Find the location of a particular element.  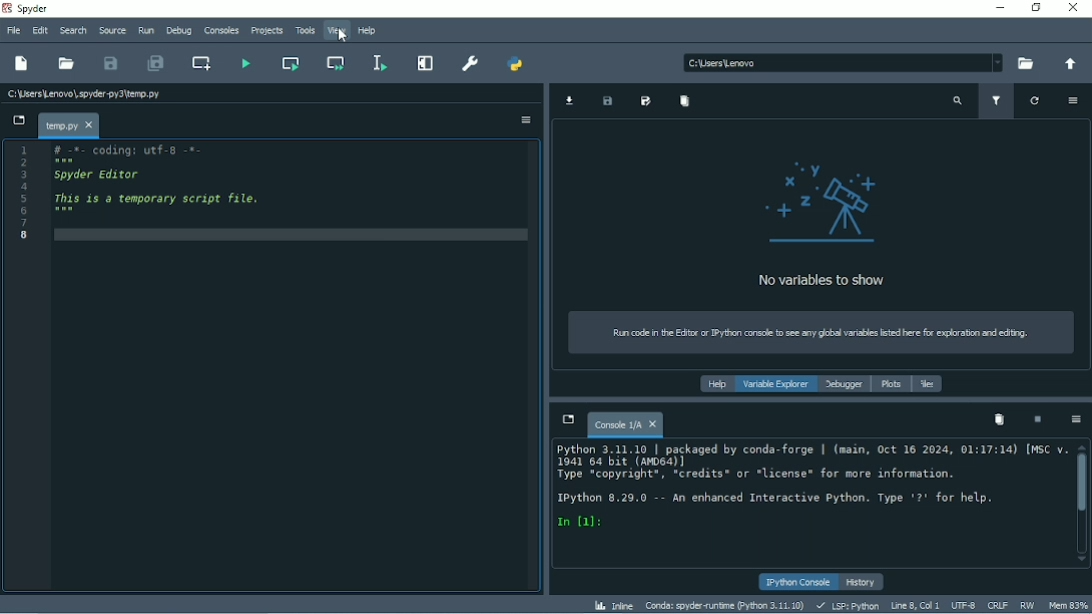

Console is located at coordinates (625, 422).